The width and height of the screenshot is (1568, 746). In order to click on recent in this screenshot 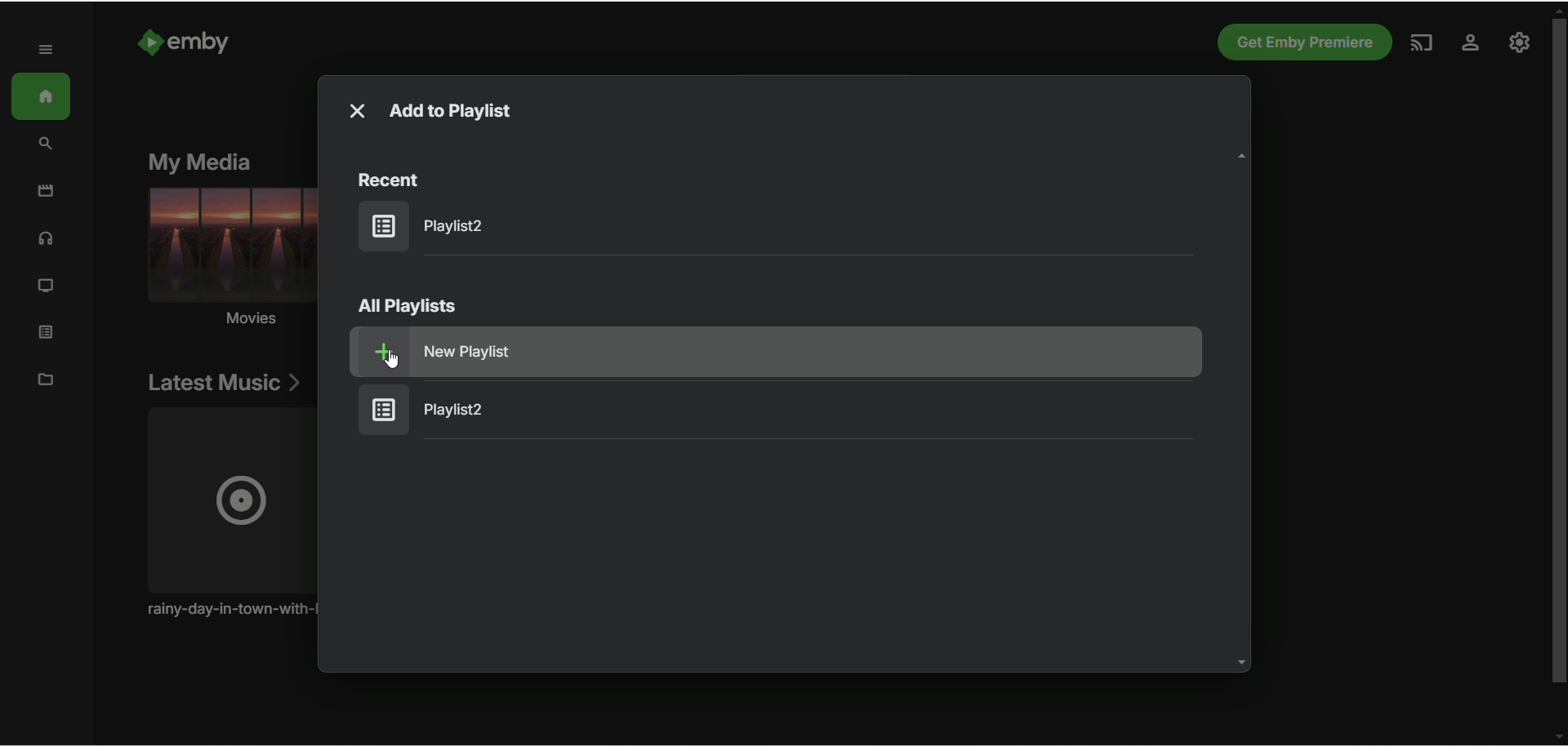, I will do `click(390, 180)`.